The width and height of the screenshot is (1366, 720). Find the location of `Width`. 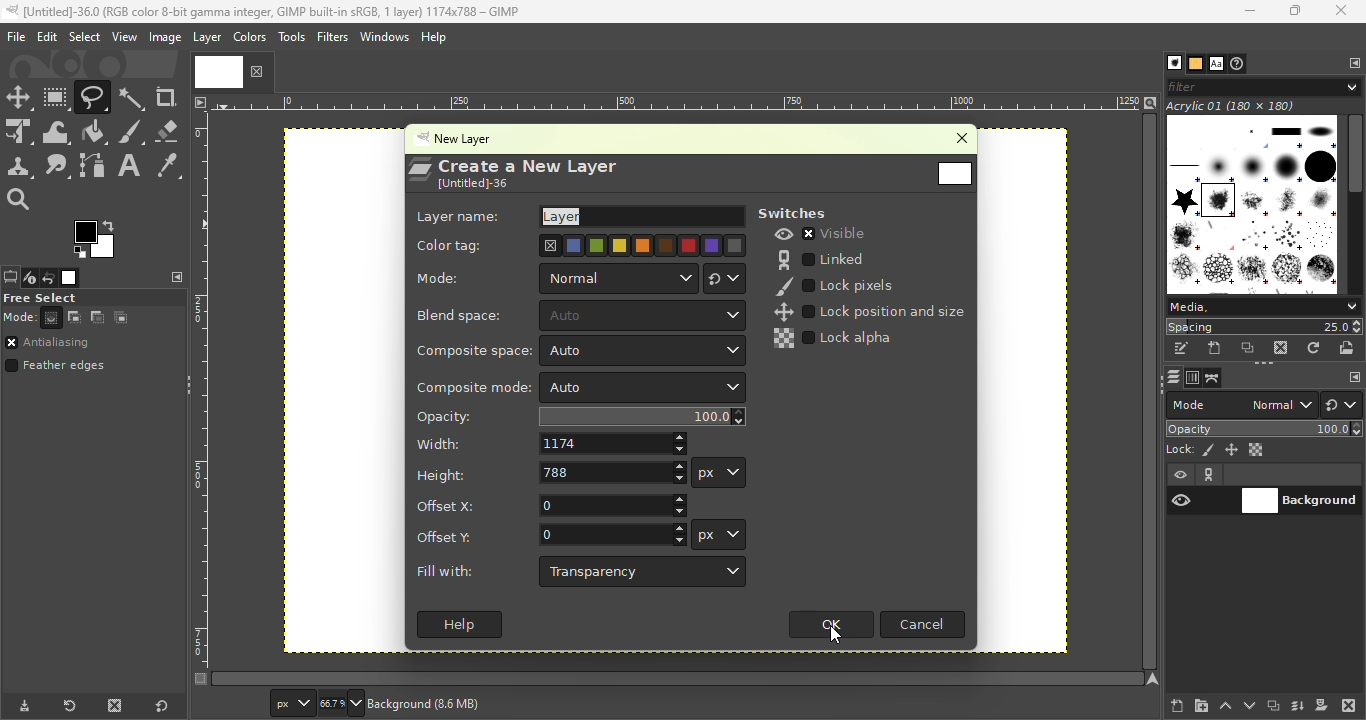

Width is located at coordinates (550, 443).